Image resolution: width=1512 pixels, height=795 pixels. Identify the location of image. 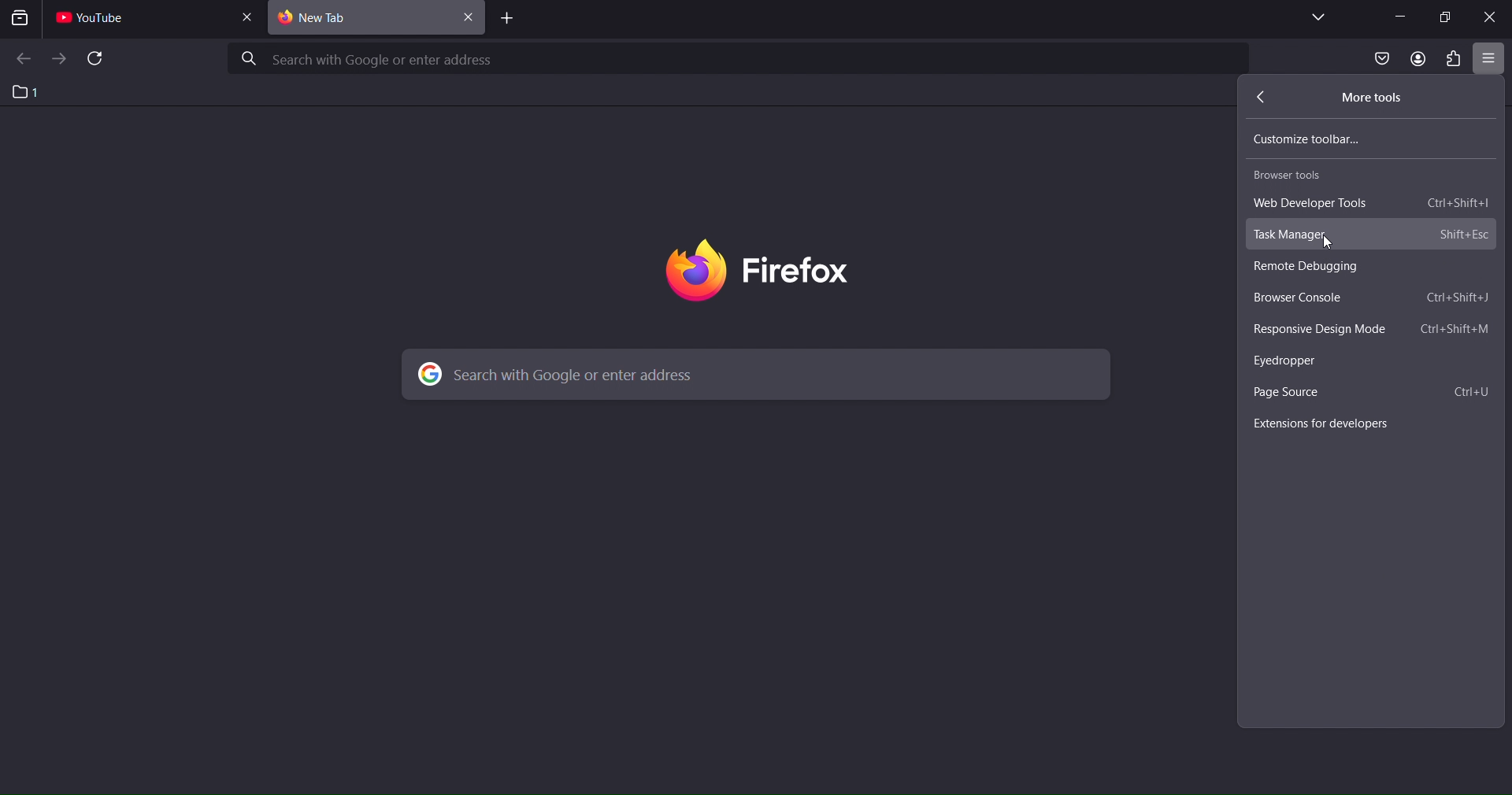
(797, 270).